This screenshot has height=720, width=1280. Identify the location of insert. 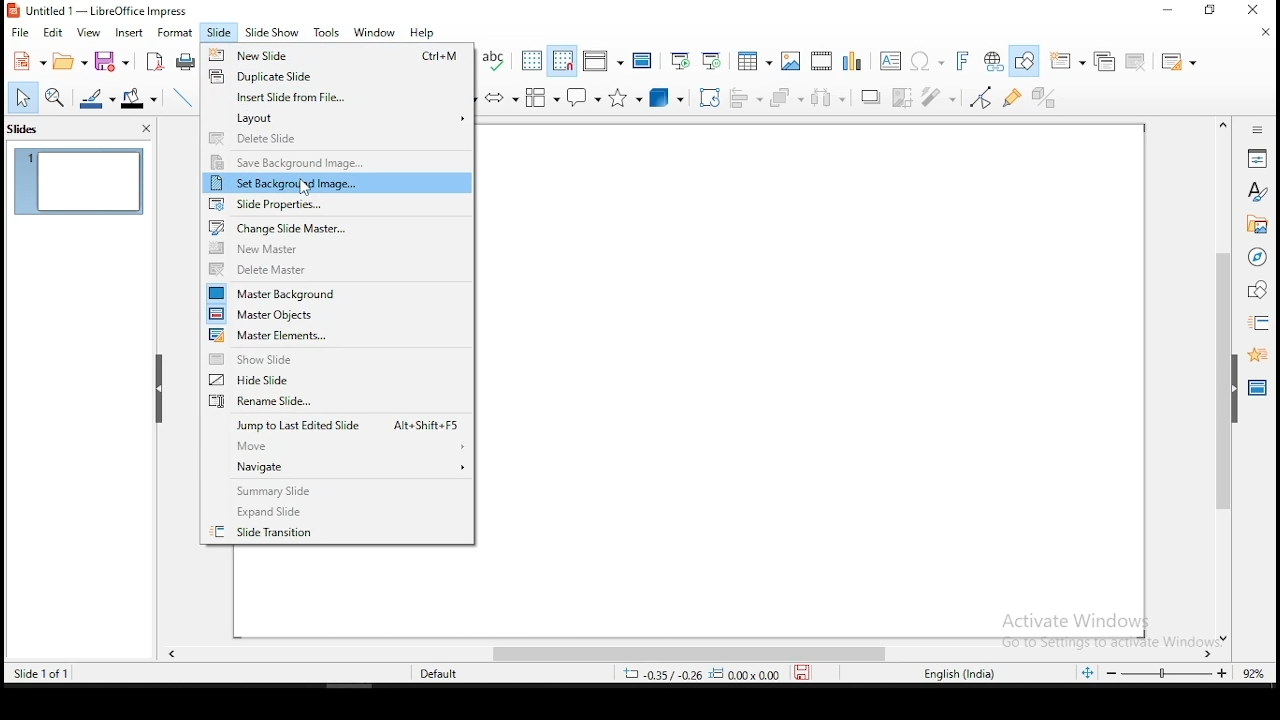
(133, 32).